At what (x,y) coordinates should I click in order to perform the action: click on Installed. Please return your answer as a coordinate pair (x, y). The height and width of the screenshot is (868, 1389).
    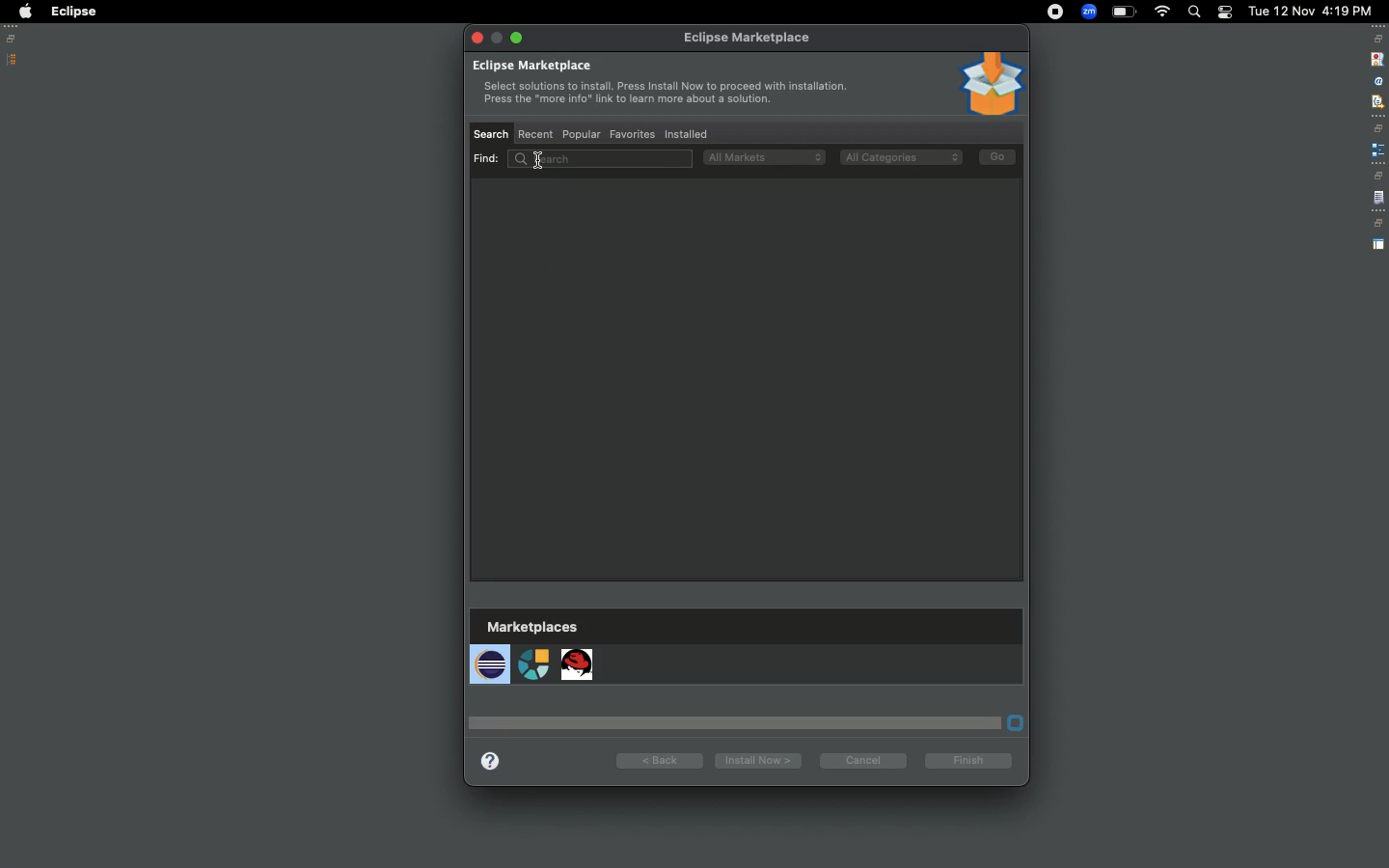
    Looking at the image, I should click on (685, 135).